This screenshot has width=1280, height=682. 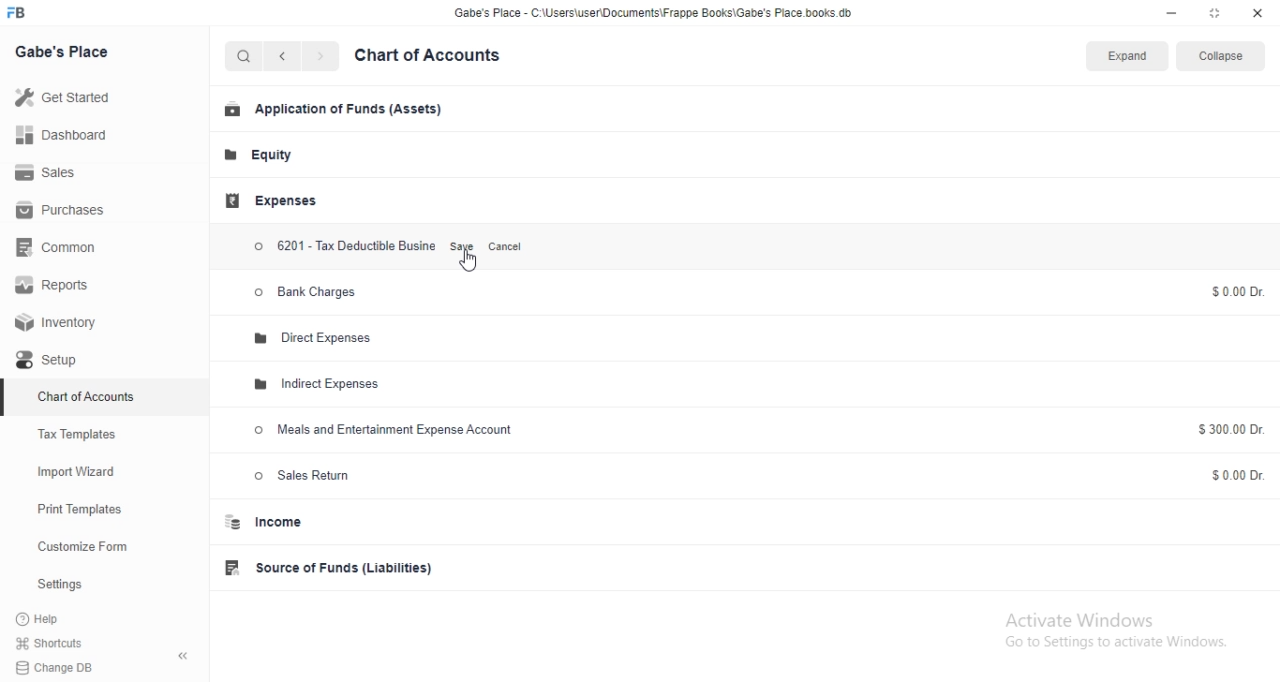 What do you see at coordinates (1233, 291) in the screenshot?
I see `$0.00 Dr` at bounding box center [1233, 291].